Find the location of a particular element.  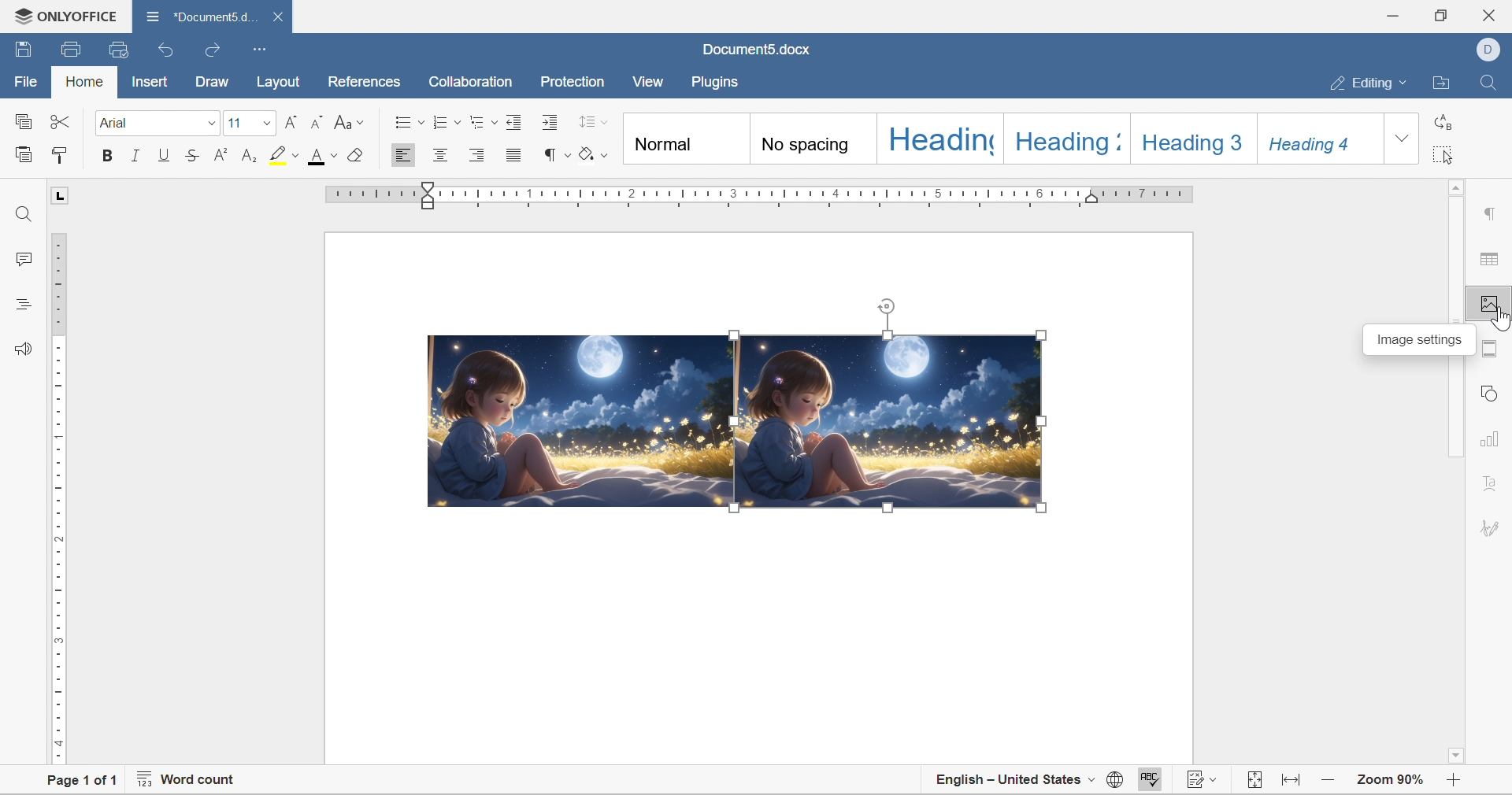

customize quick access toolbar is located at coordinates (261, 50).